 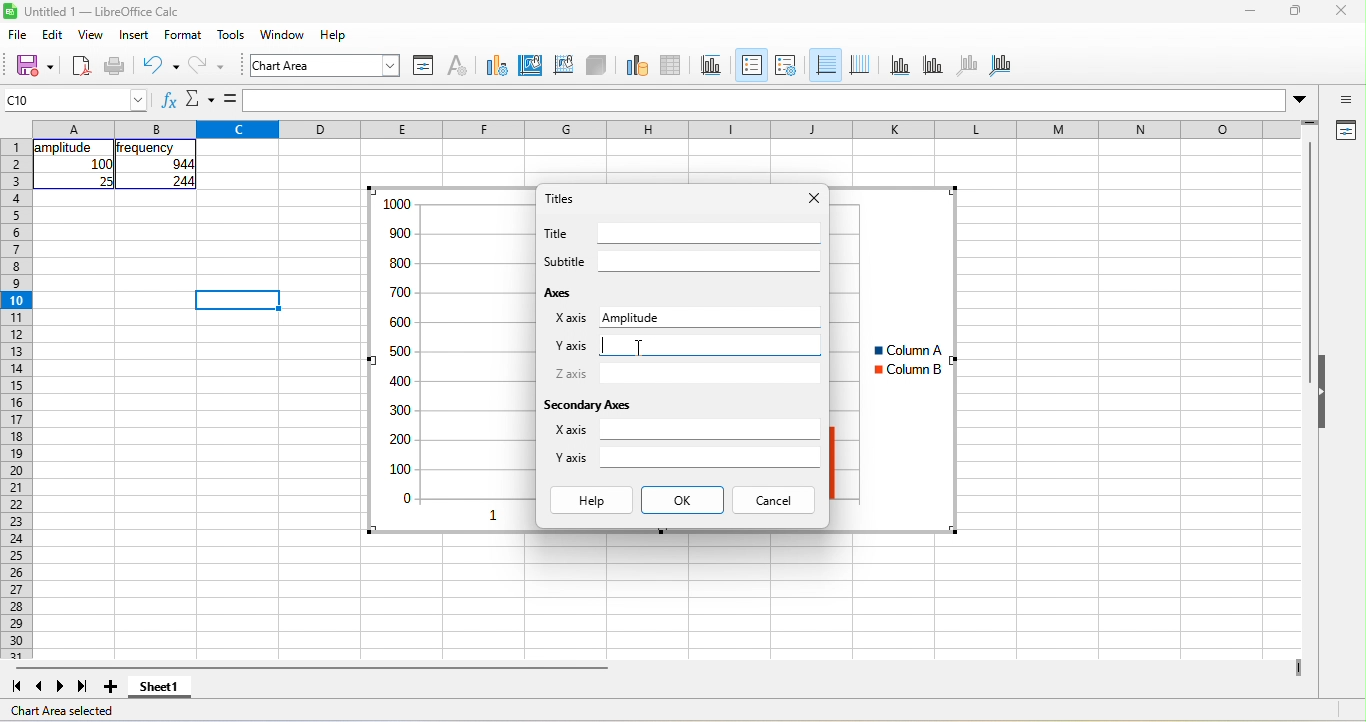 What do you see at coordinates (825, 65) in the screenshot?
I see `horizontal grids` at bounding box center [825, 65].